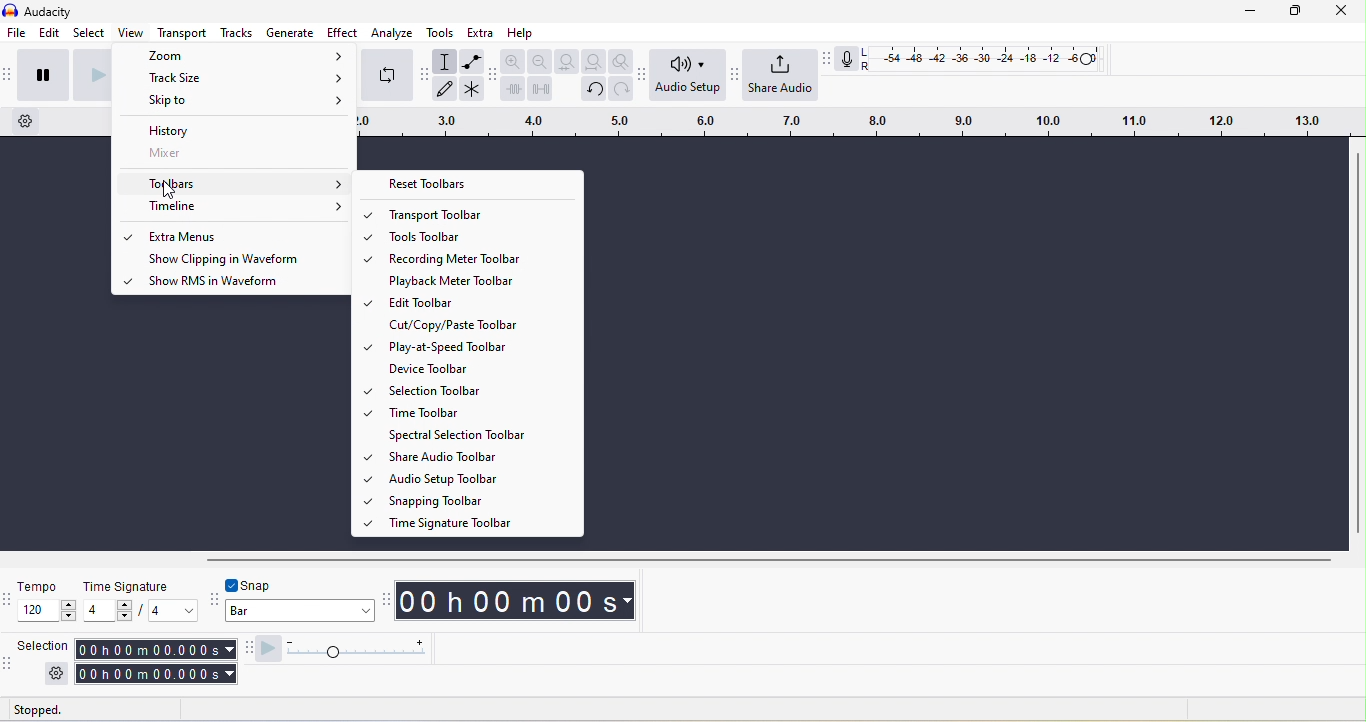  I want to click on Time toolbar, so click(478, 412).